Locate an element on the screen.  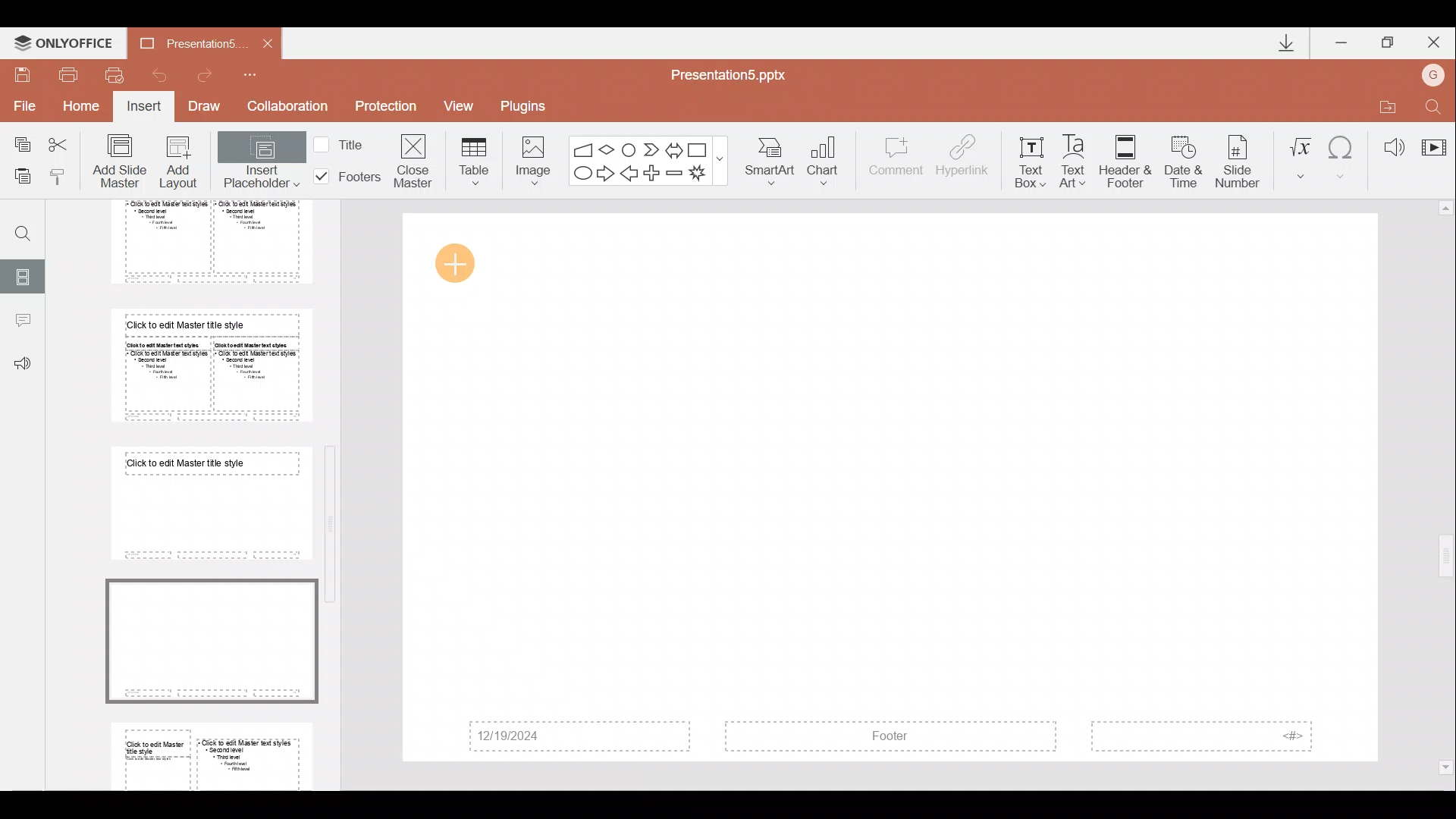
Footers is located at coordinates (345, 177).